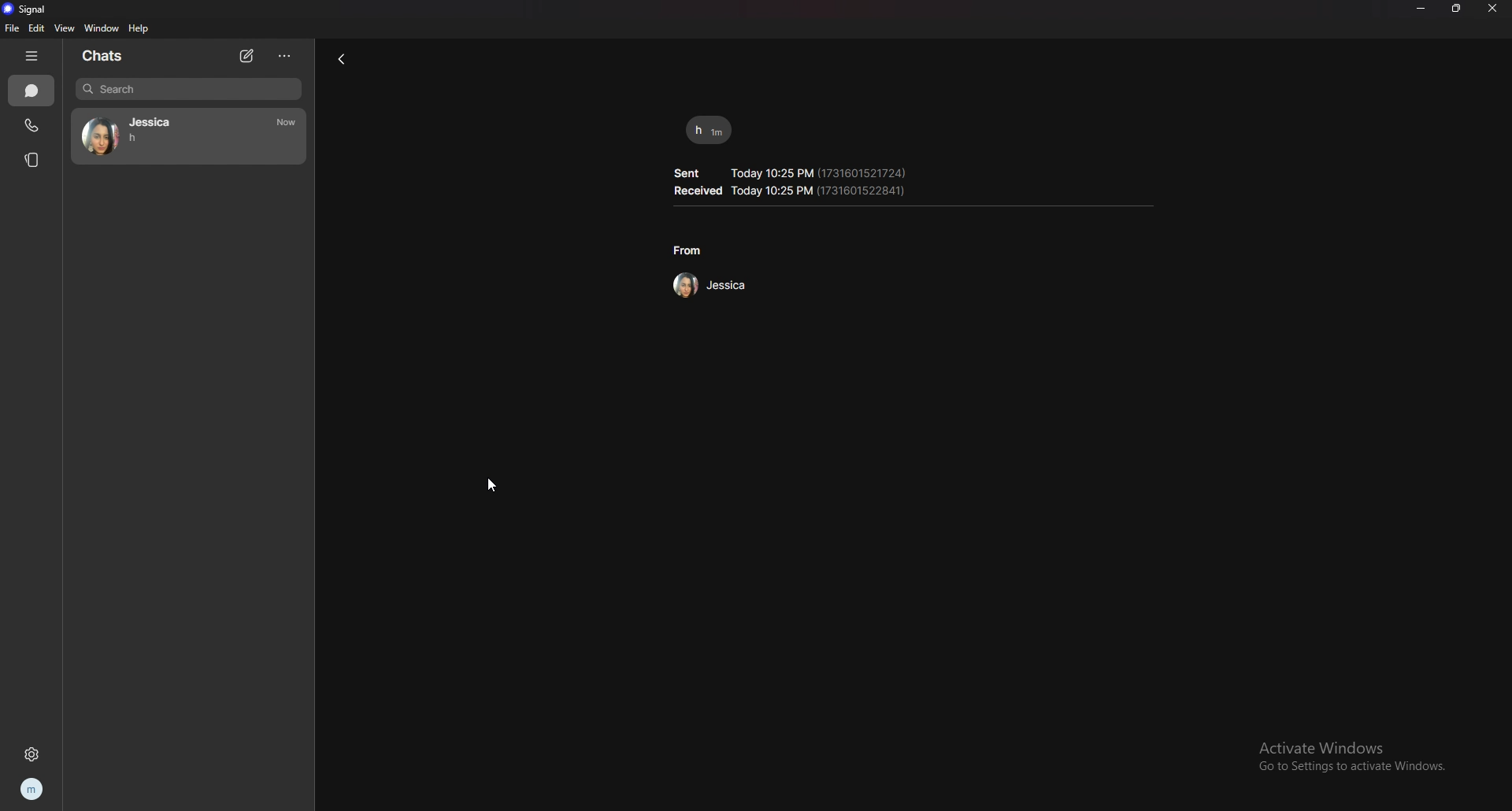 The height and width of the screenshot is (811, 1512). What do you see at coordinates (32, 54) in the screenshot?
I see `hide tabs` at bounding box center [32, 54].